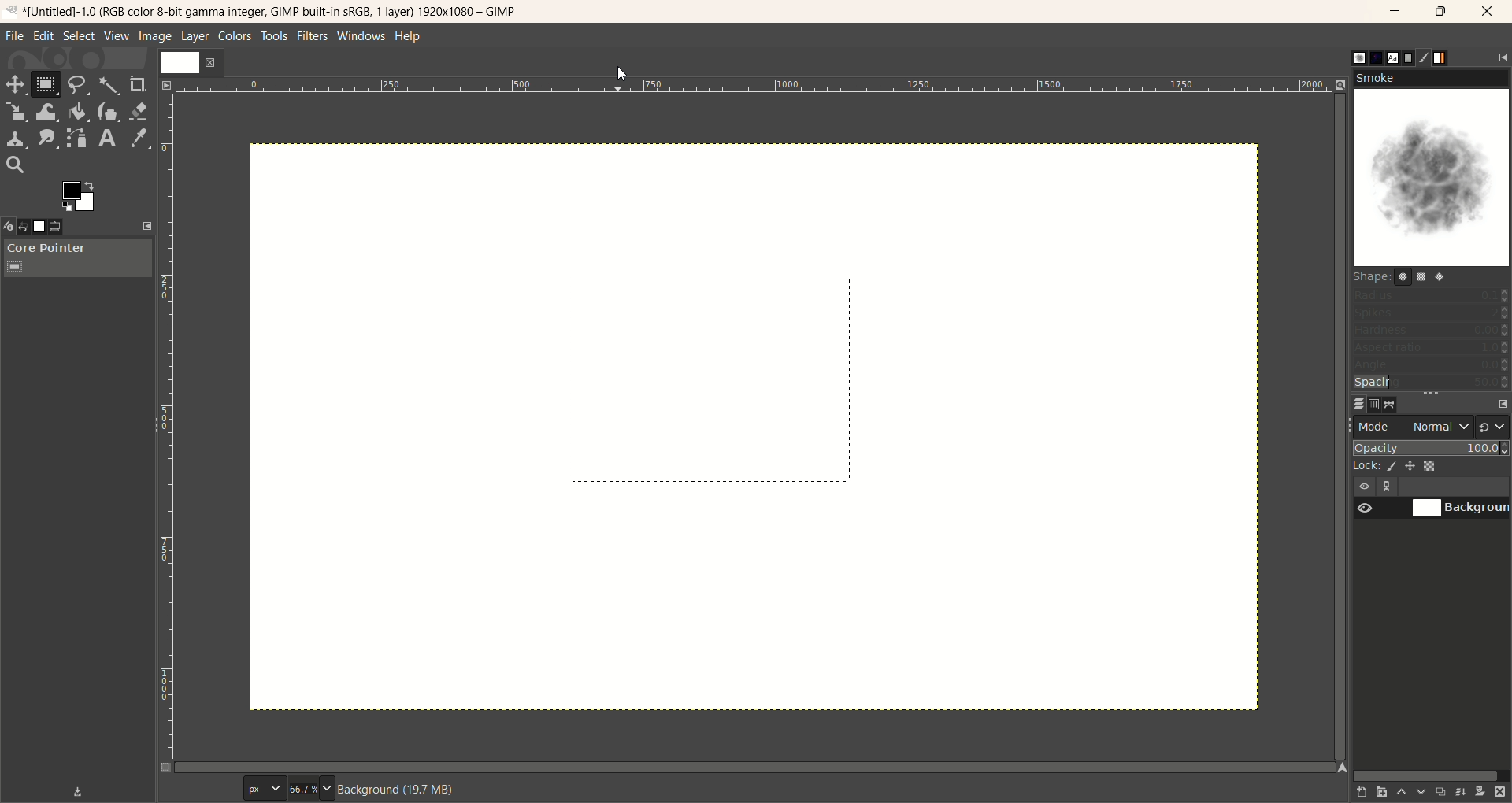  Describe the element at coordinates (46, 140) in the screenshot. I see `smudge tool` at that location.